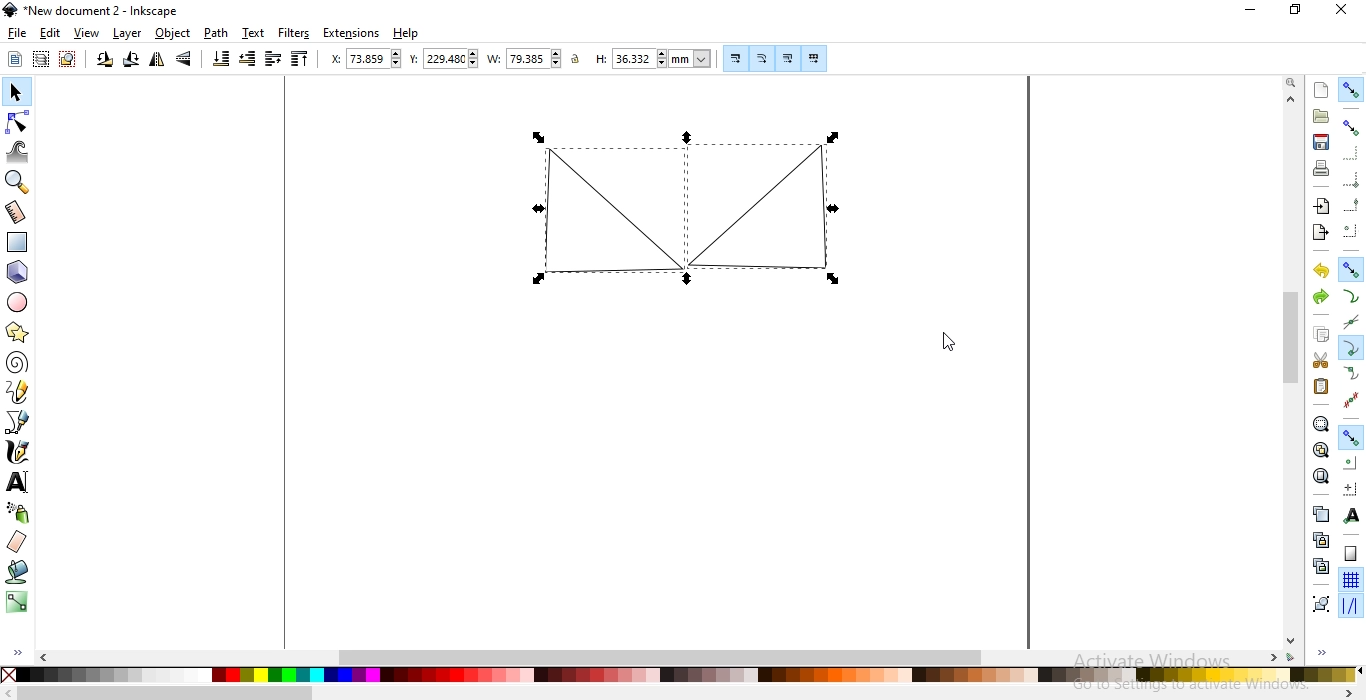 The width and height of the screenshot is (1366, 700). What do you see at coordinates (155, 60) in the screenshot?
I see `flip horizontally` at bounding box center [155, 60].